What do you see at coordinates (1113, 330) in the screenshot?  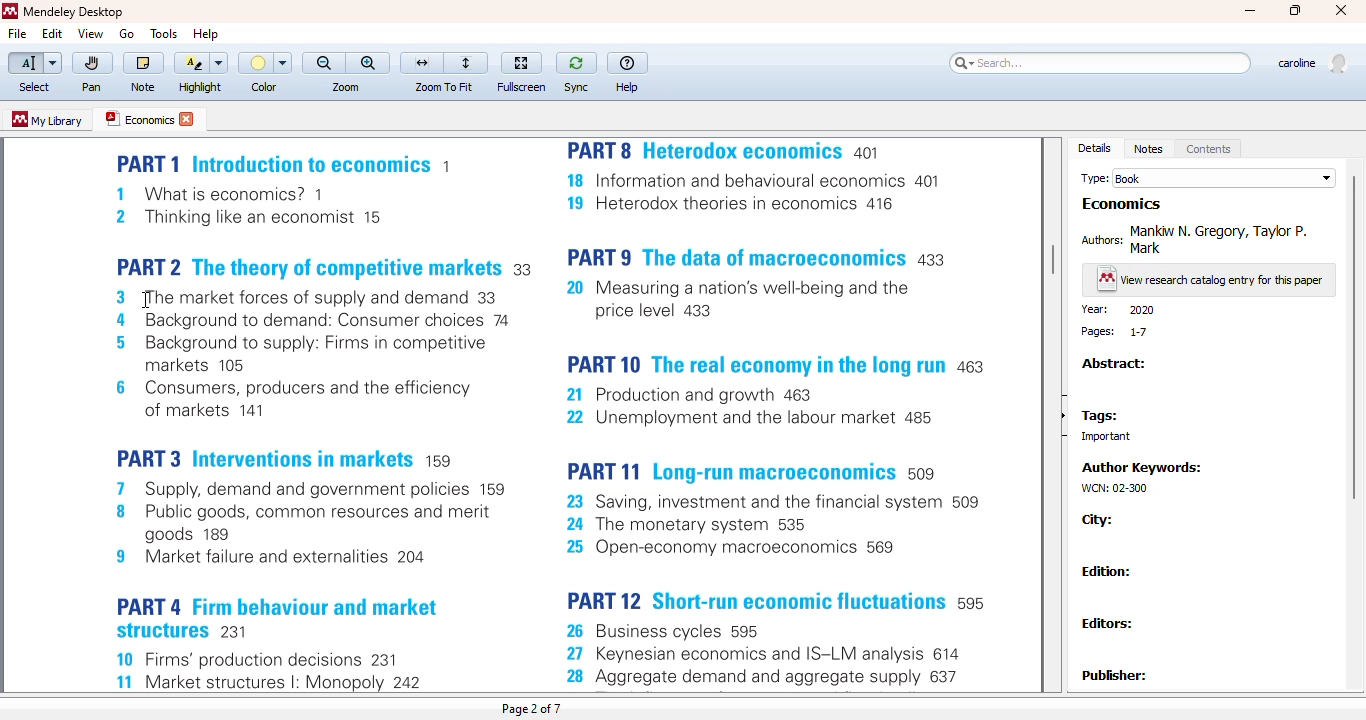 I see `Pages: 1-7` at bounding box center [1113, 330].